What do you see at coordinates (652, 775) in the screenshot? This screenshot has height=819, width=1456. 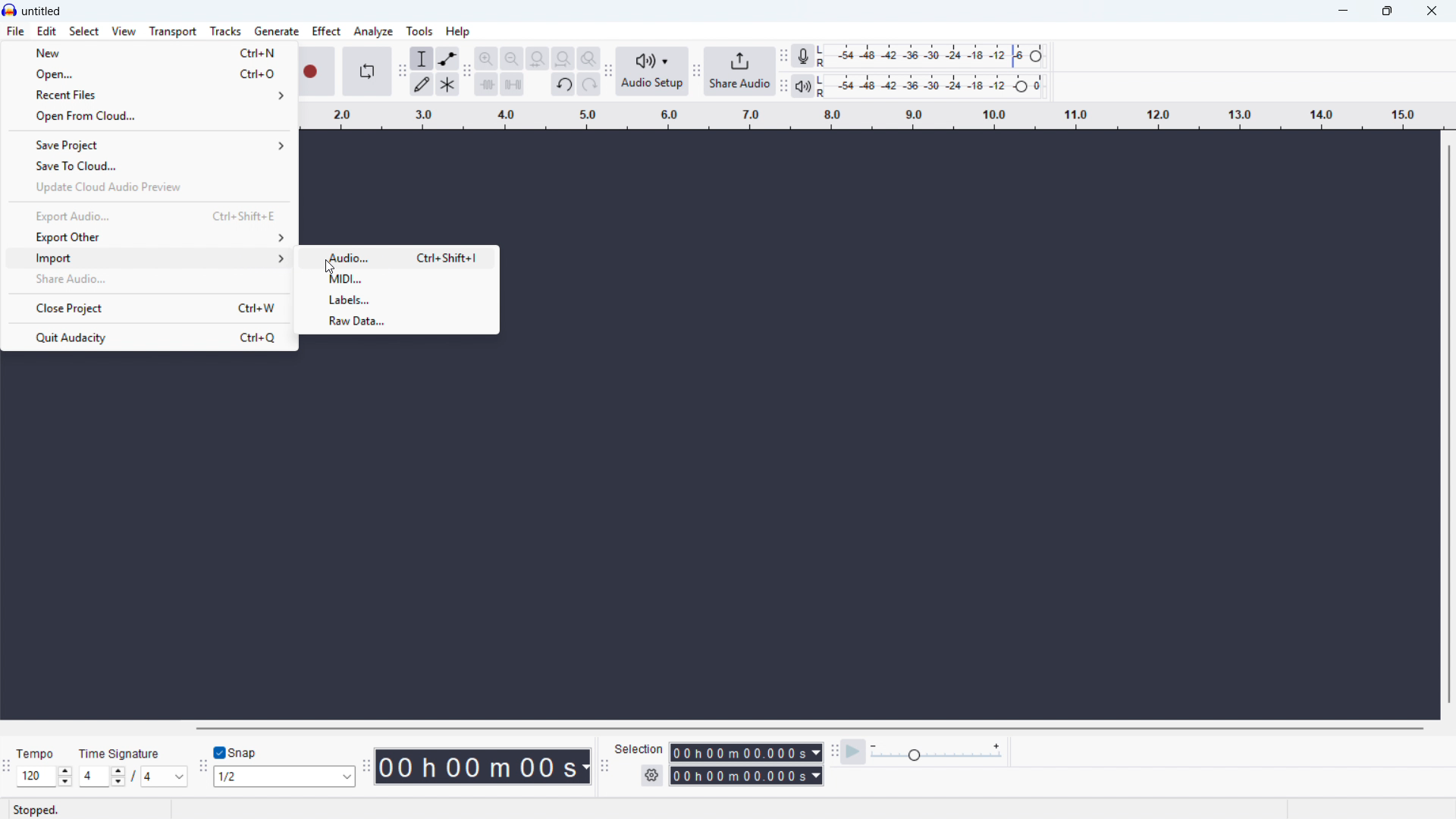 I see `Selection settings ` at bounding box center [652, 775].